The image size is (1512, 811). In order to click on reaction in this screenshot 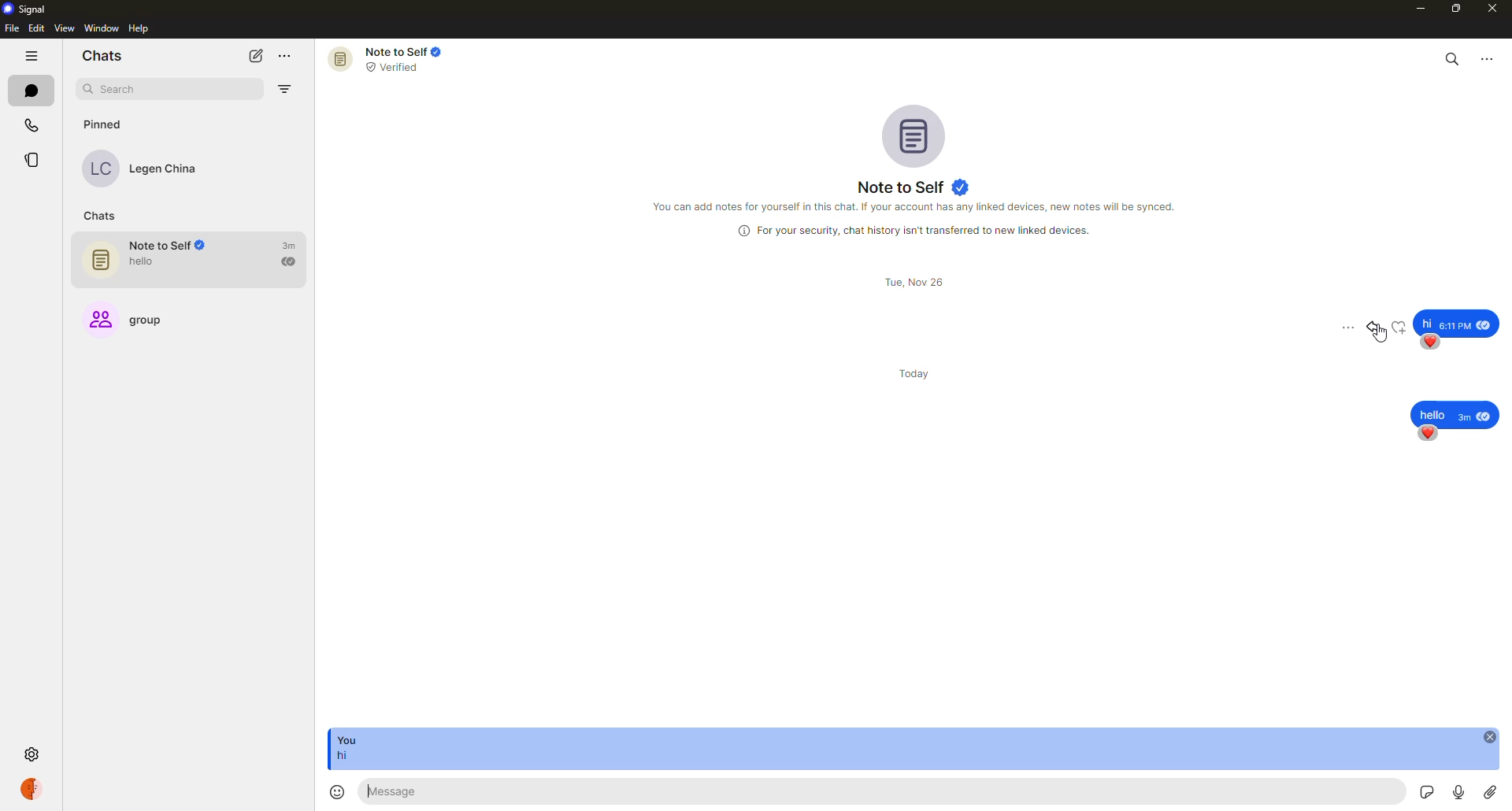, I will do `click(1432, 343)`.